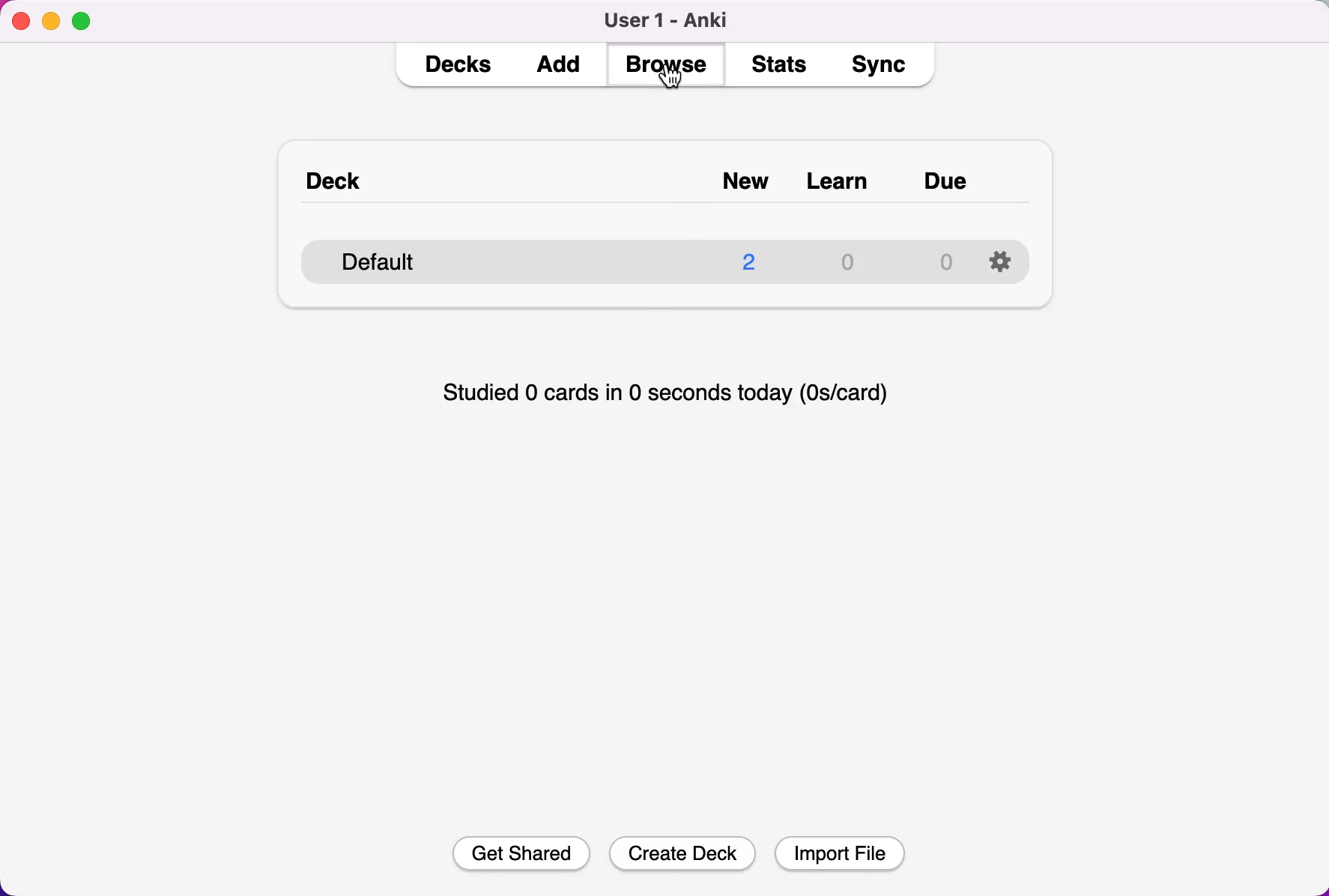 The height and width of the screenshot is (896, 1329). What do you see at coordinates (673, 78) in the screenshot?
I see `cursor` at bounding box center [673, 78].